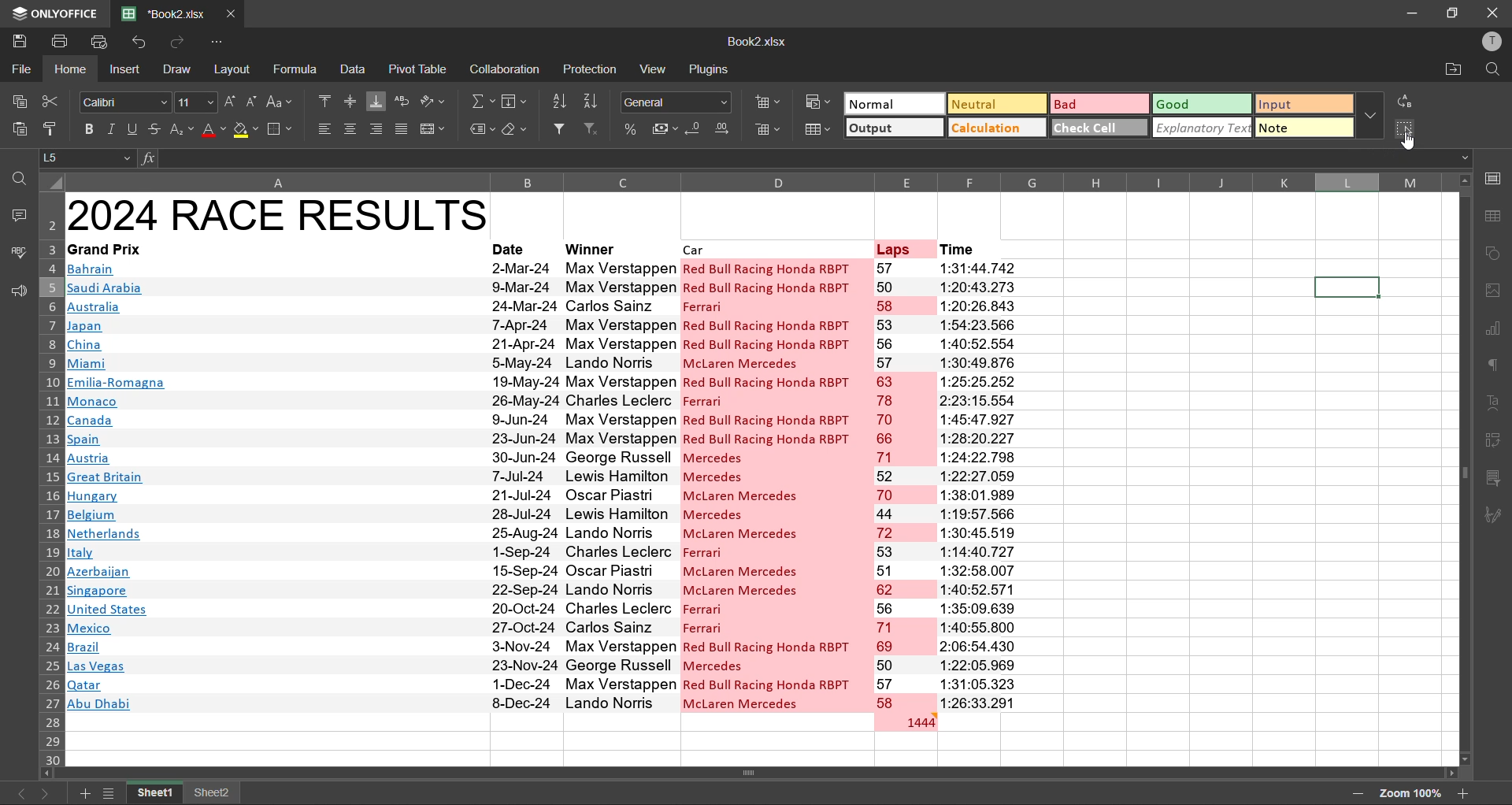 The height and width of the screenshot is (805, 1512). I want to click on layout, so click(235, 69).